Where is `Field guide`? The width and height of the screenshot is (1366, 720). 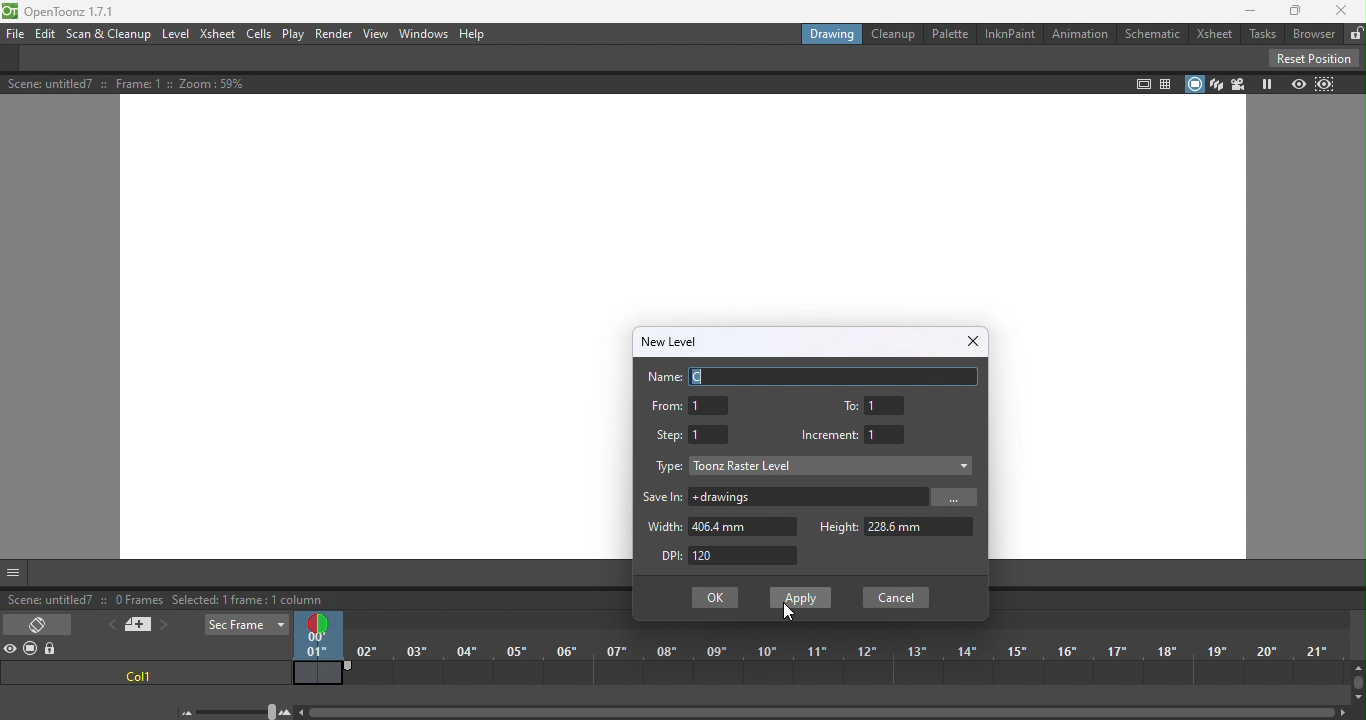
Field guide is located at coordinates (1168, 82).